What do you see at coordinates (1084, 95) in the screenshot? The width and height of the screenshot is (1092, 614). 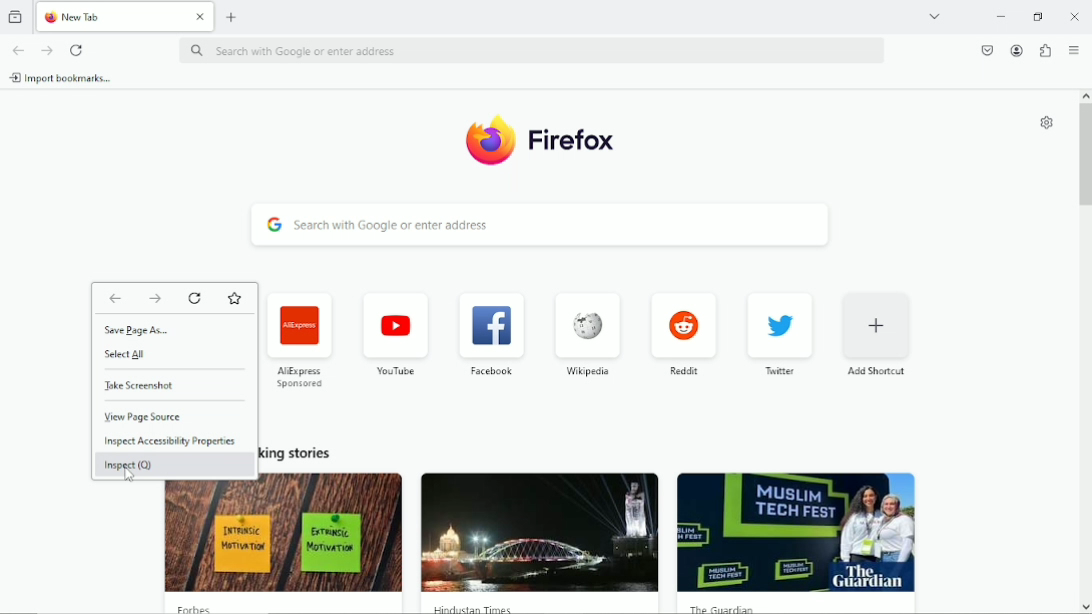 I see `scroll up` at bounding box center [1084, 95].